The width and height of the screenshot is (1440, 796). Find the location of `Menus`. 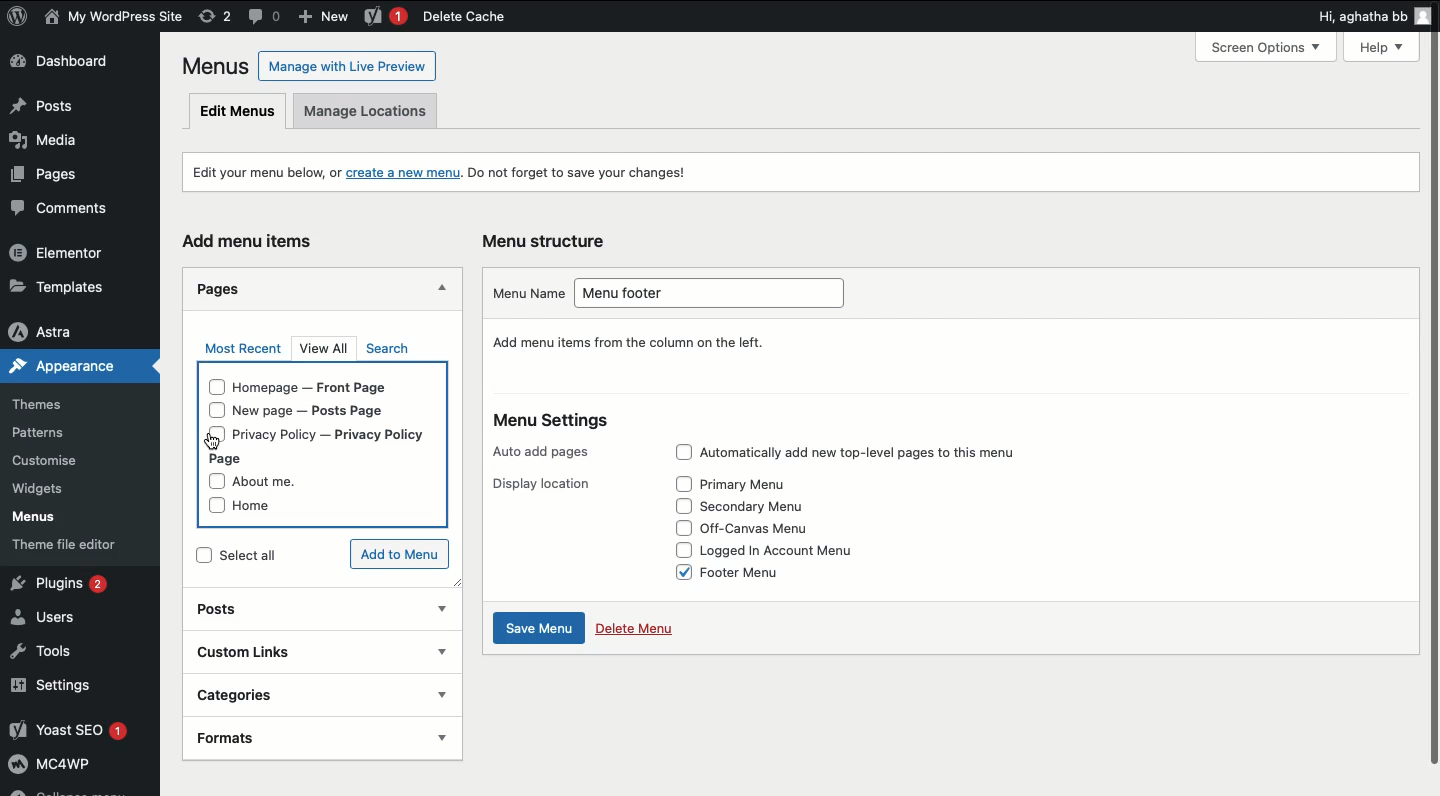

Menus is located at coordinates (212, 66).